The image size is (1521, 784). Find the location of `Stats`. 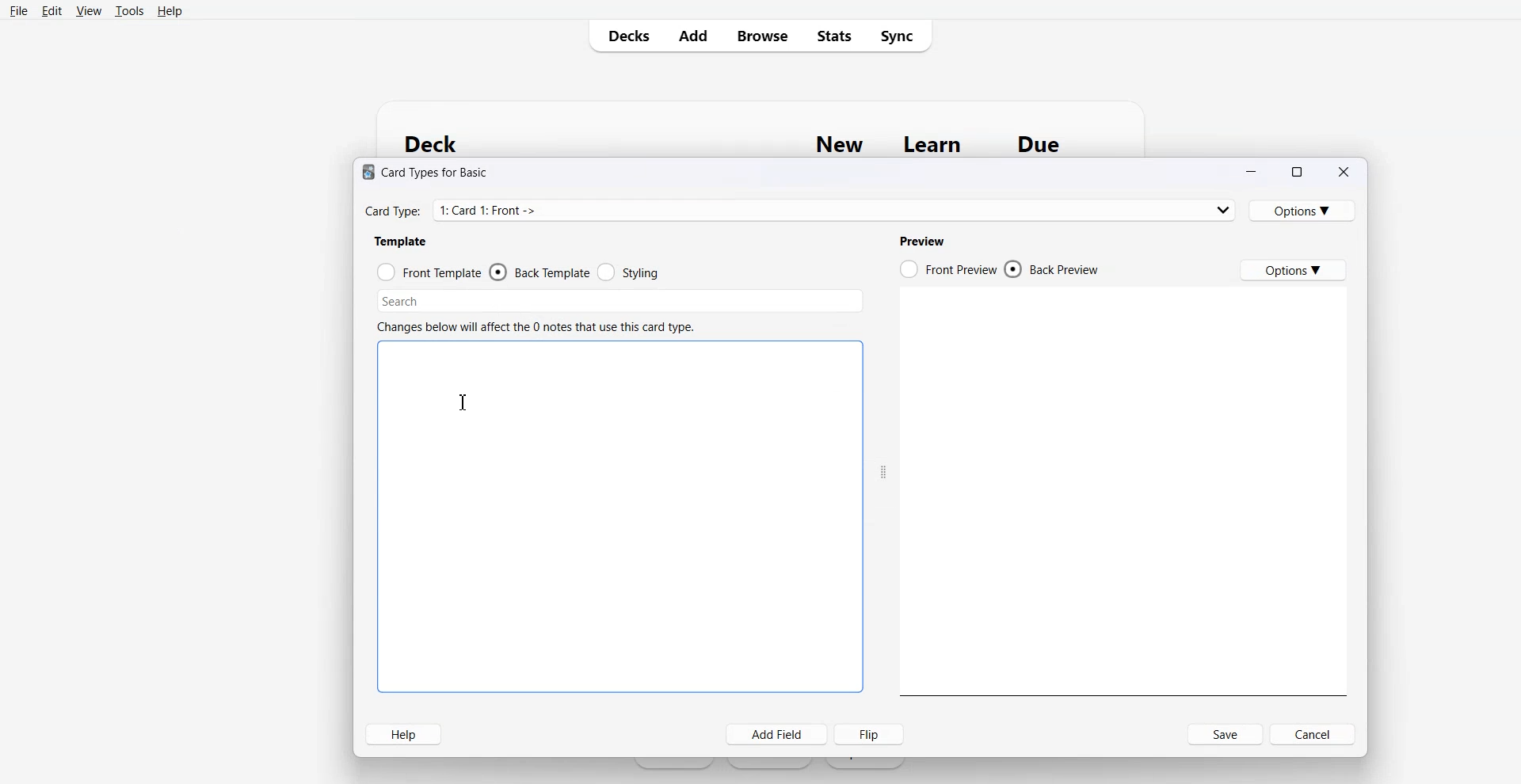

Stats is located at coordinates (832, 35).